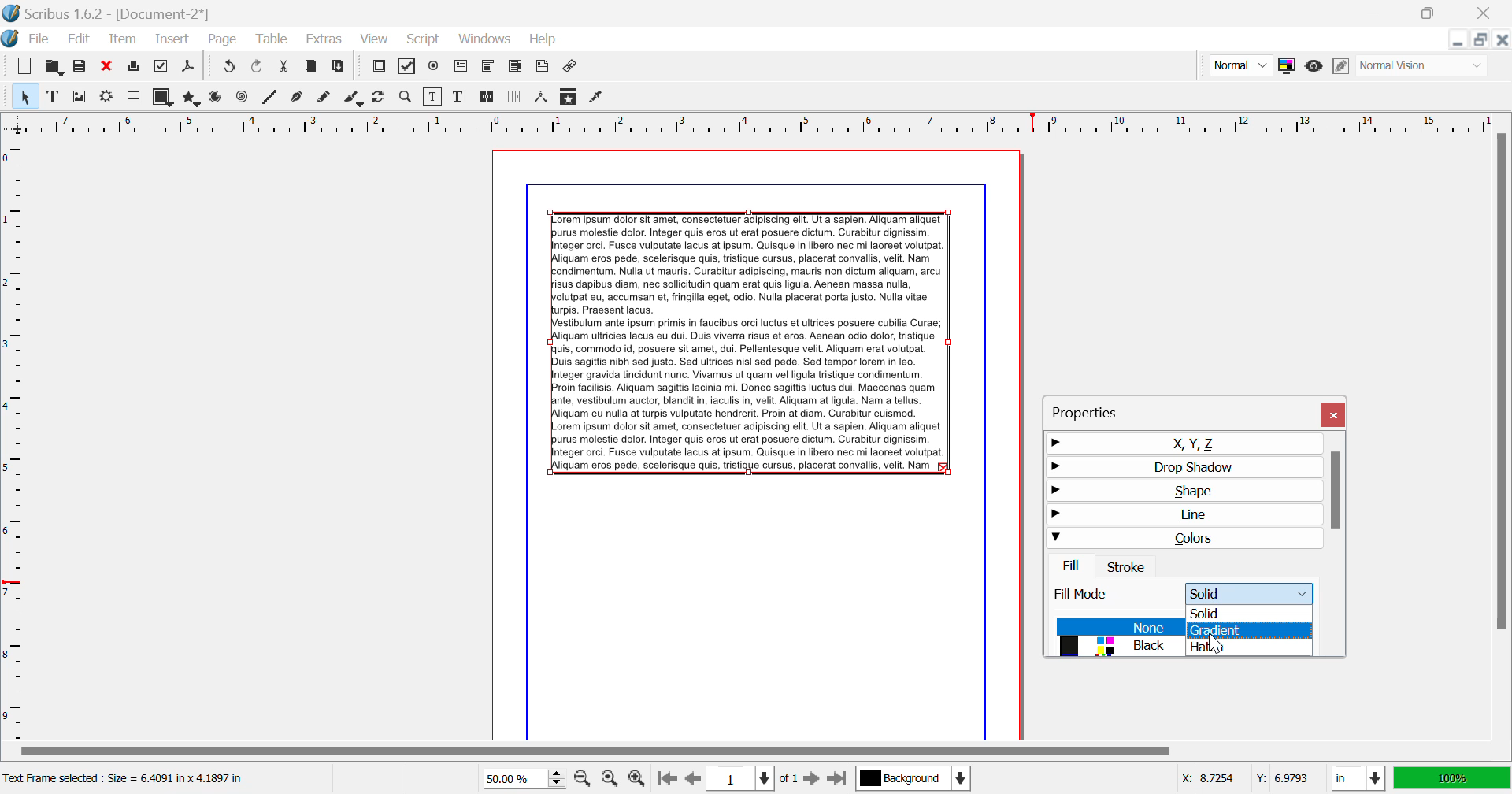 The width and height of the screenshot is (1512, 794). I want to click on Restore Down, so click(1378, 13).